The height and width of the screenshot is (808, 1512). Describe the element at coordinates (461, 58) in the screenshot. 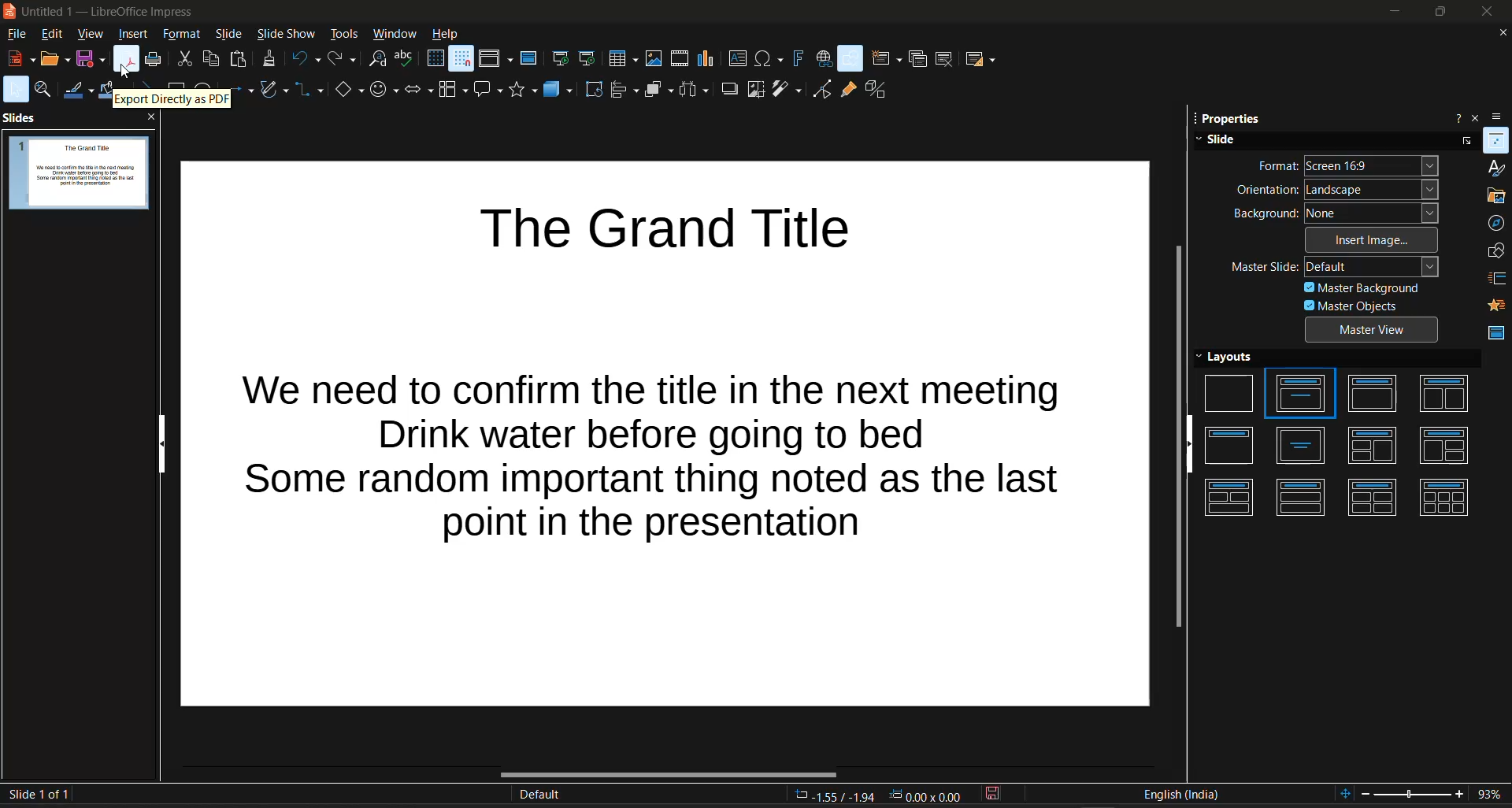

I see `snap to grid` at that location.